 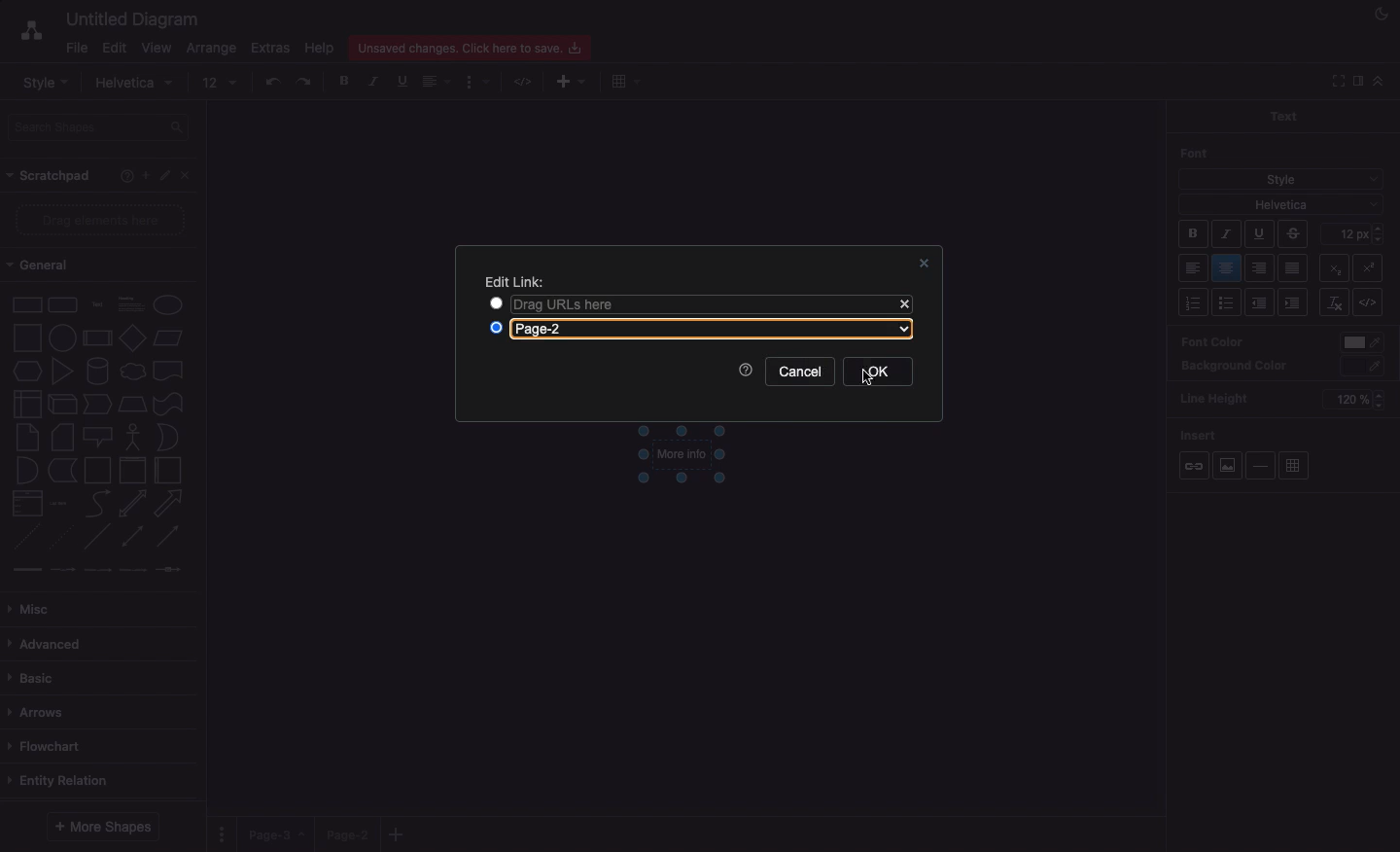 What do you see at coordinates (318, 48) in the screenshot?
I see `Help` at bounding box center [318, 48].